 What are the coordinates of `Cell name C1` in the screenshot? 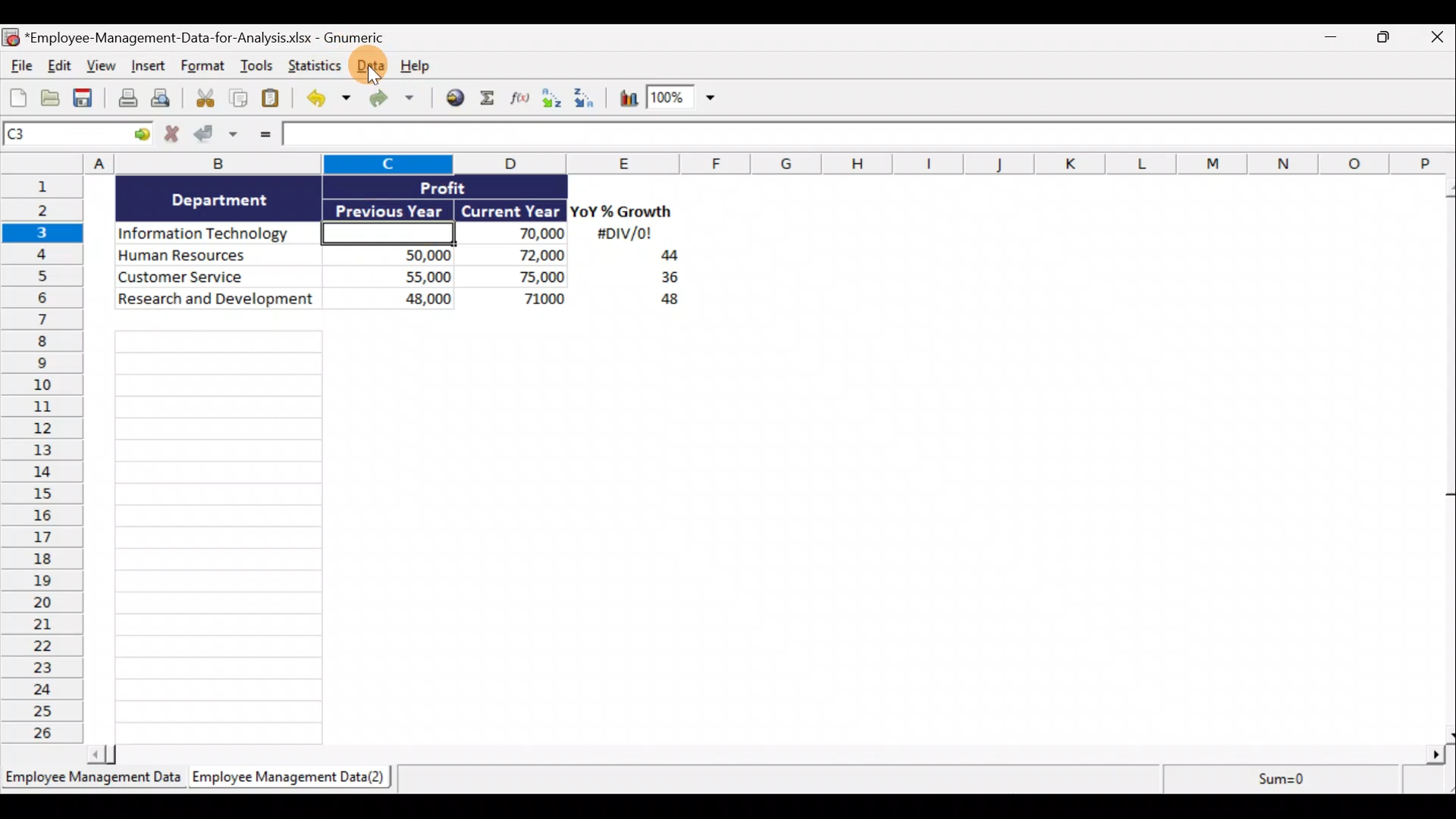 It's located at (64, 136).